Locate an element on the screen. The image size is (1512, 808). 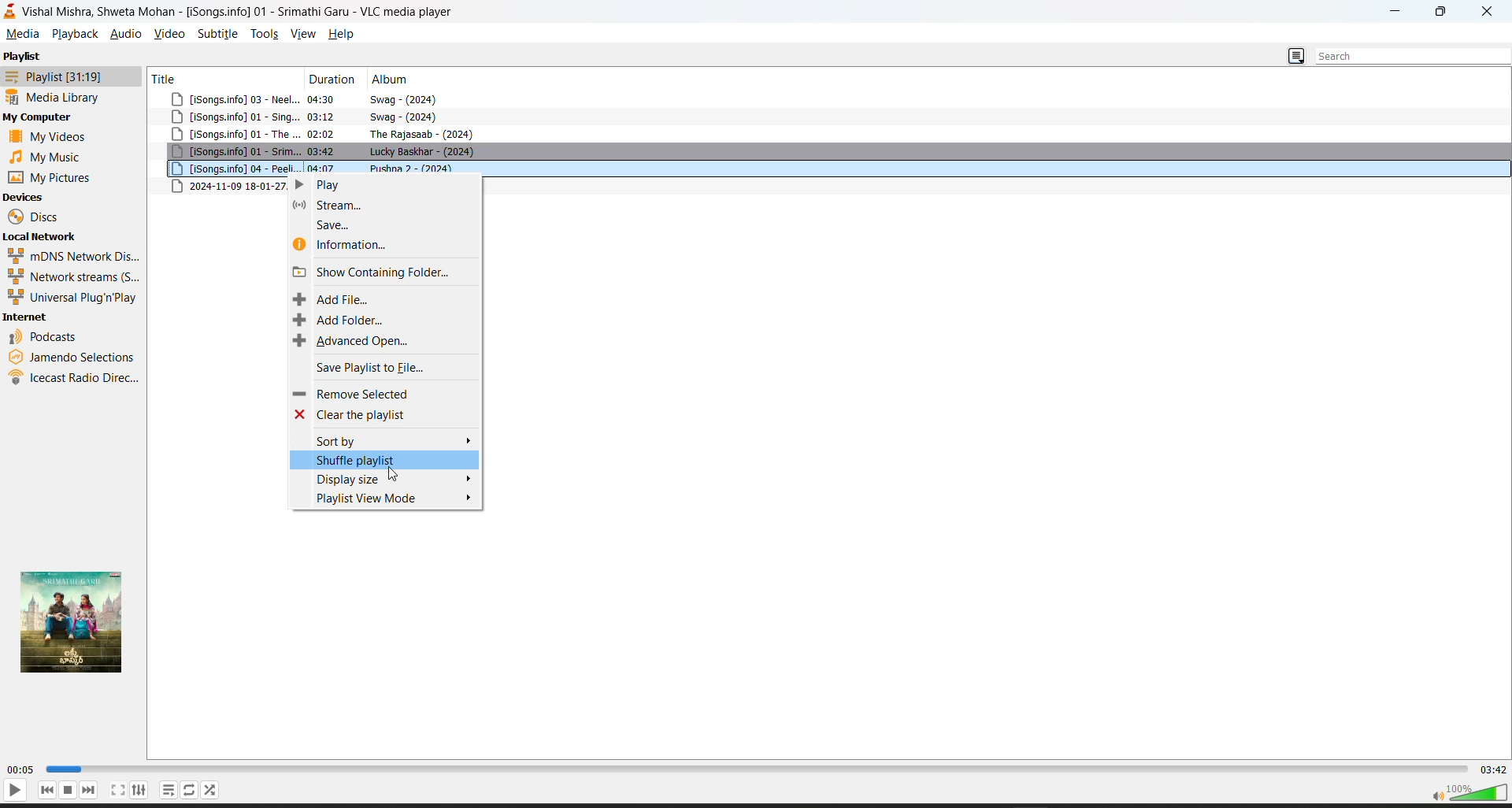
vlc media player logo is located at coordinates (9, 10).